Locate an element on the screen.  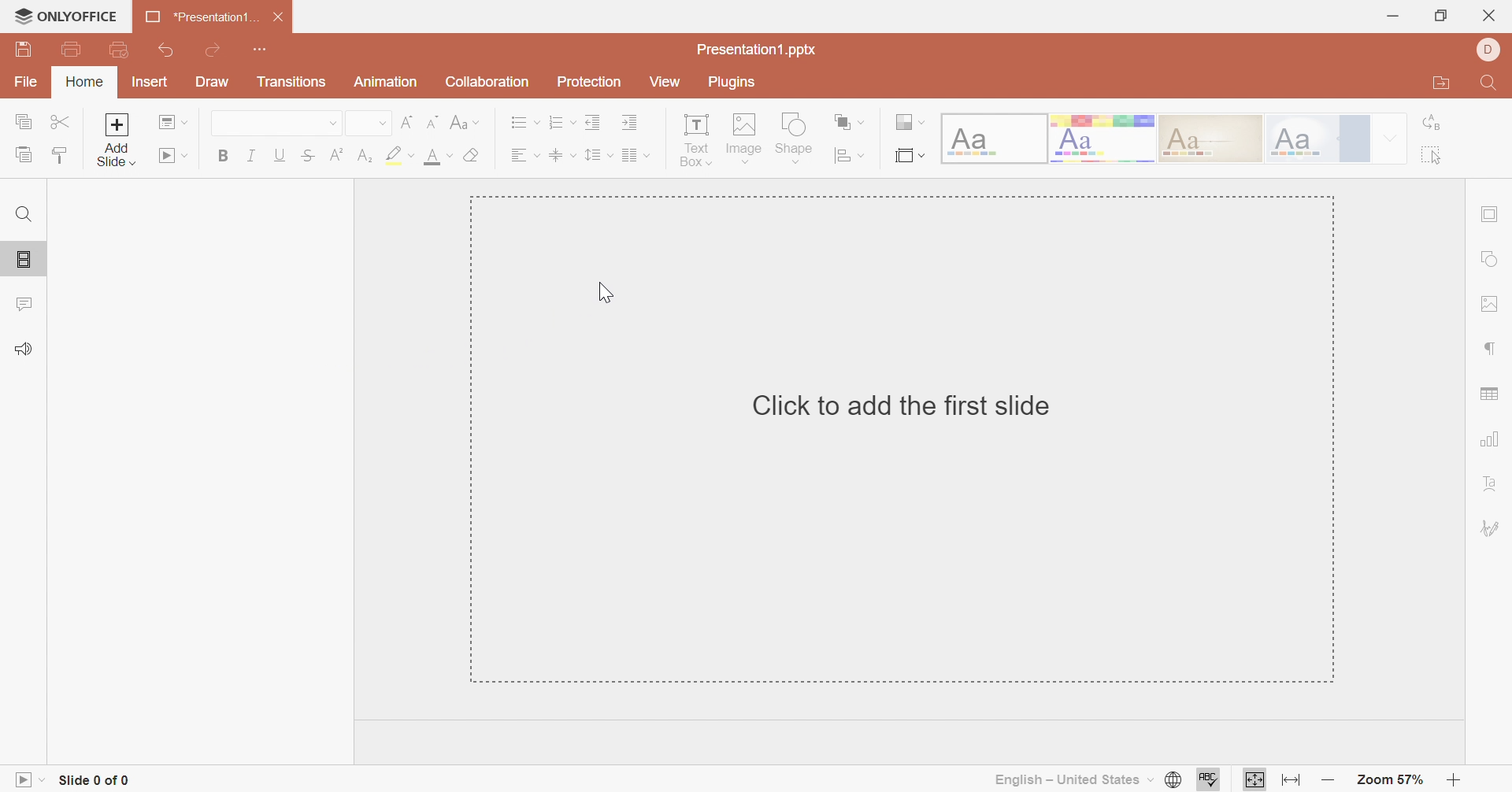
Image settings is located at coordinates (1492, 302).